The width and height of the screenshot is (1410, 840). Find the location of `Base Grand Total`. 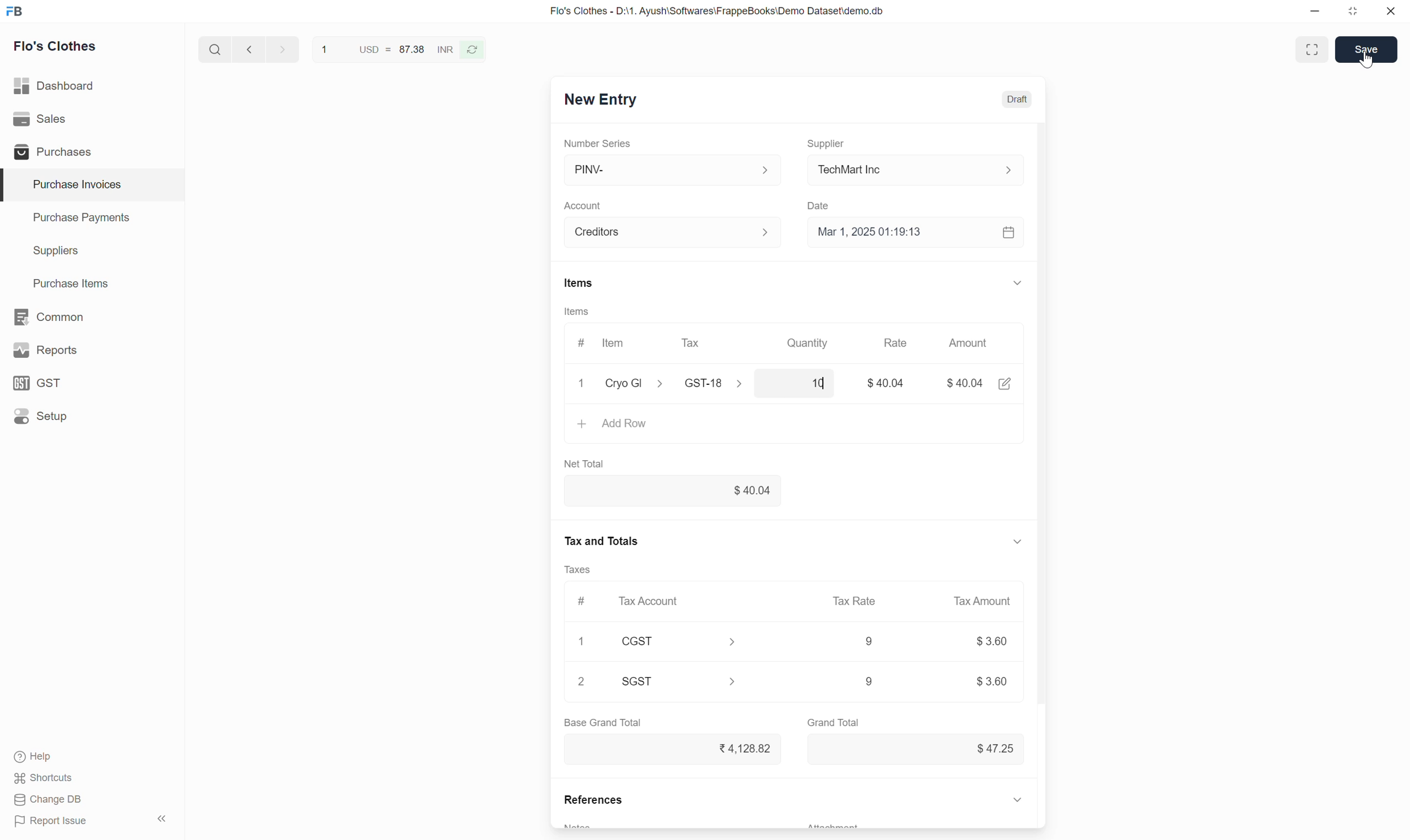

Base Grand Total is located at coordinates (603, 722).